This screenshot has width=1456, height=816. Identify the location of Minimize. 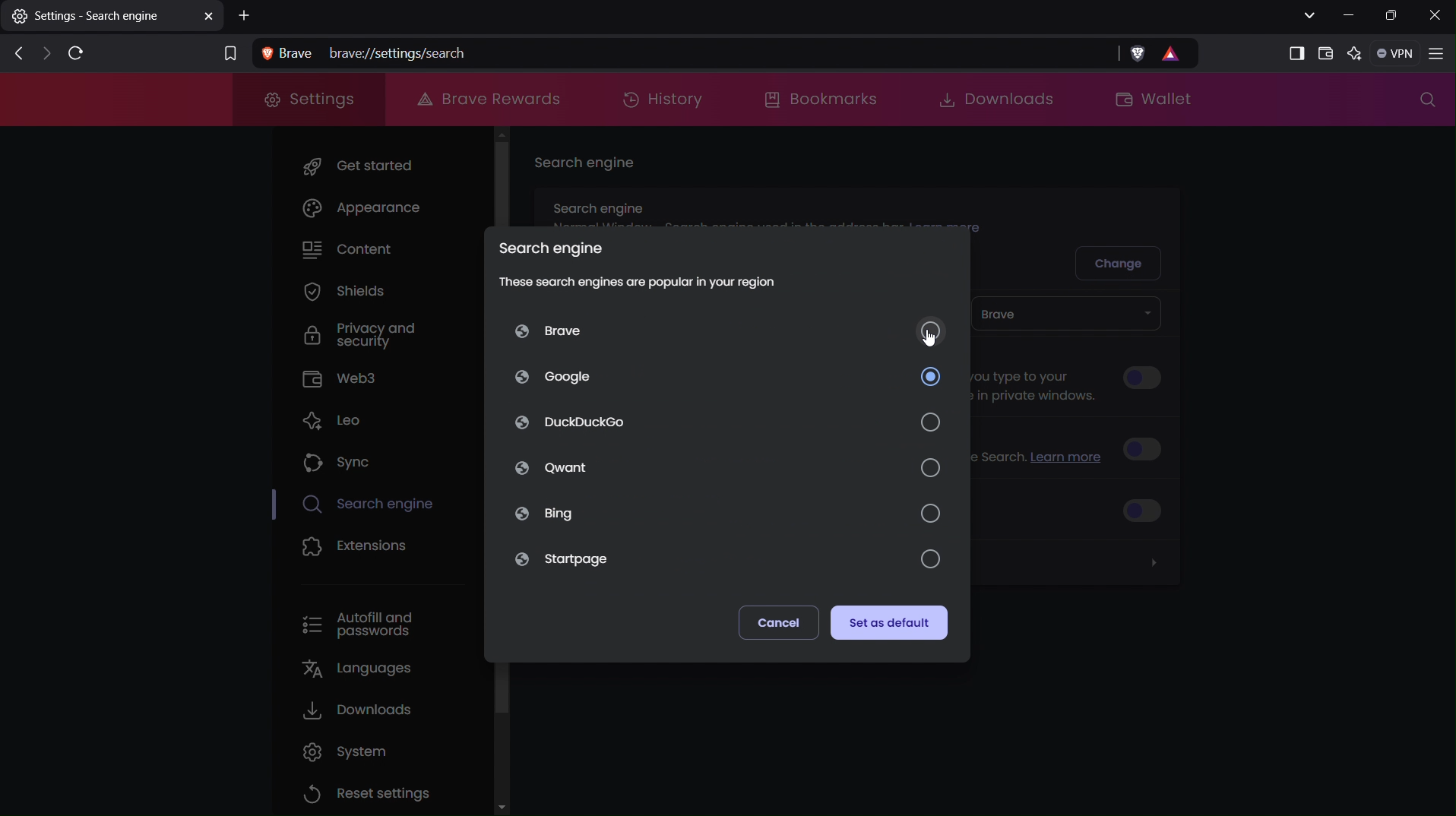
(1350, 15).